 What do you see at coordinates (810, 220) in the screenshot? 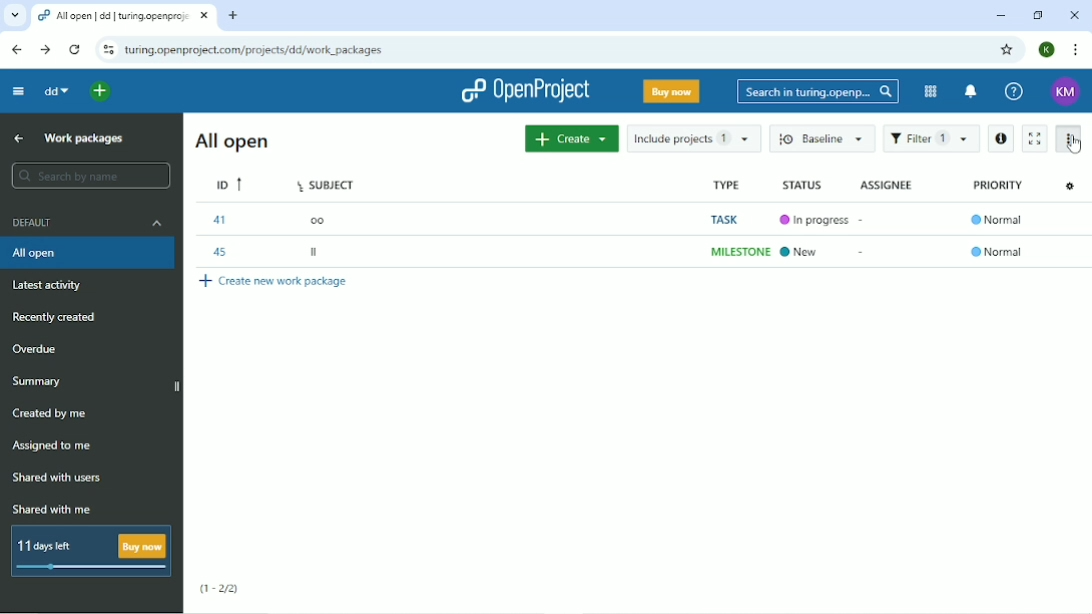
I see `In progress` at bounding box center [810, 220].